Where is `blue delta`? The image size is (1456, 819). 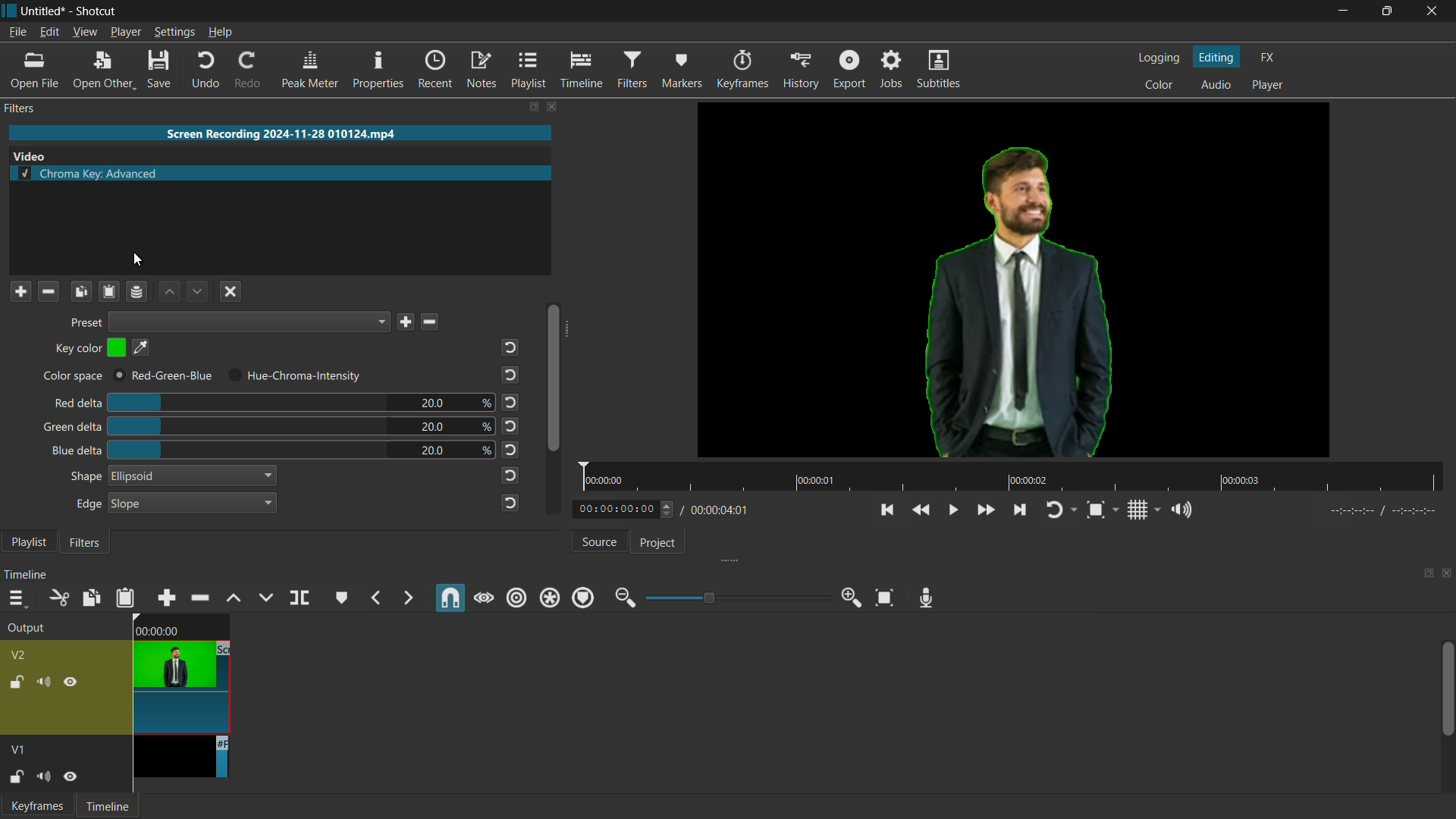 blue delta is located at coordinates (76, 450).